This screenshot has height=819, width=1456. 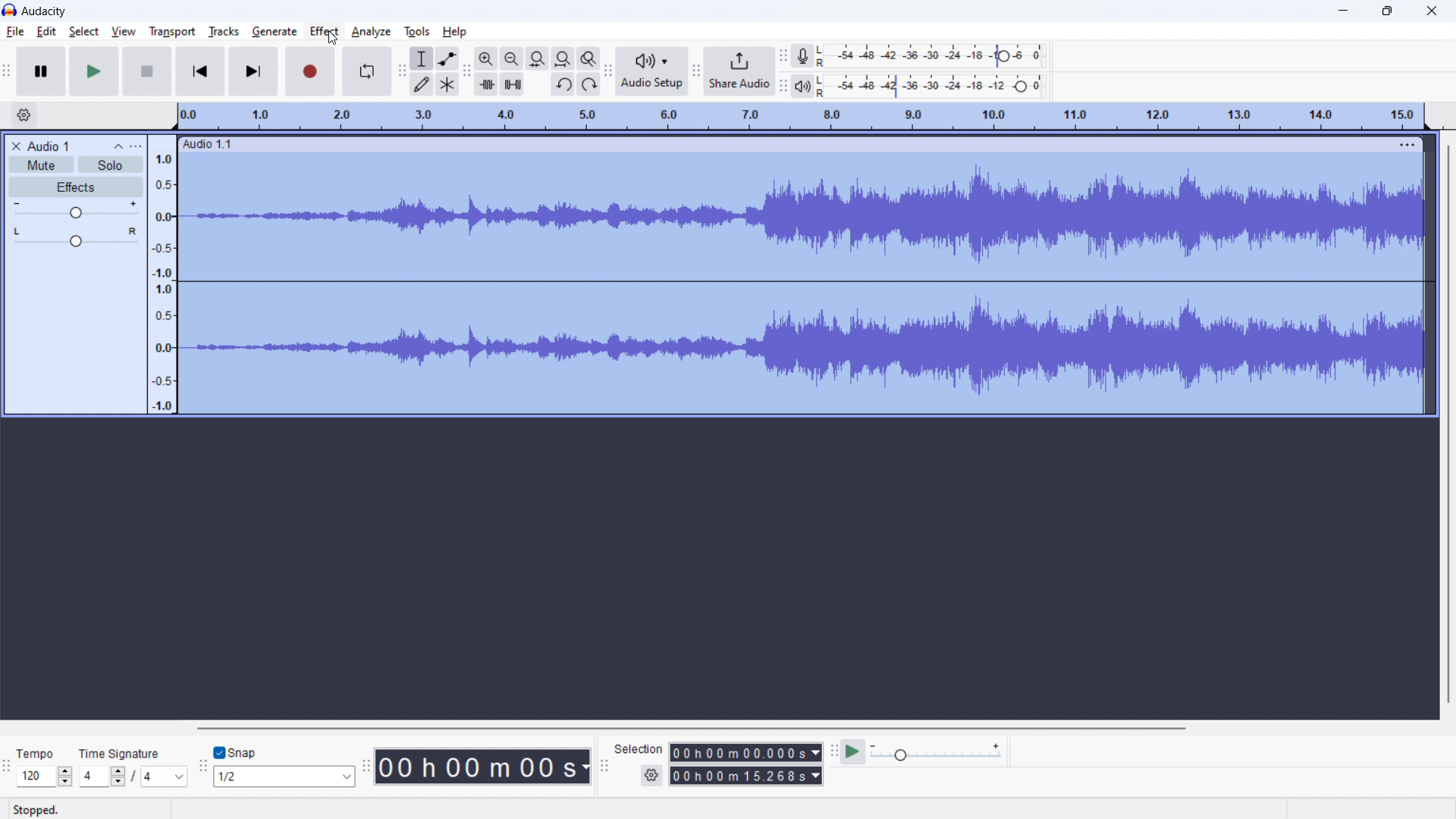 I want to click on playback meter toolbar, so click(x=783, y=87).